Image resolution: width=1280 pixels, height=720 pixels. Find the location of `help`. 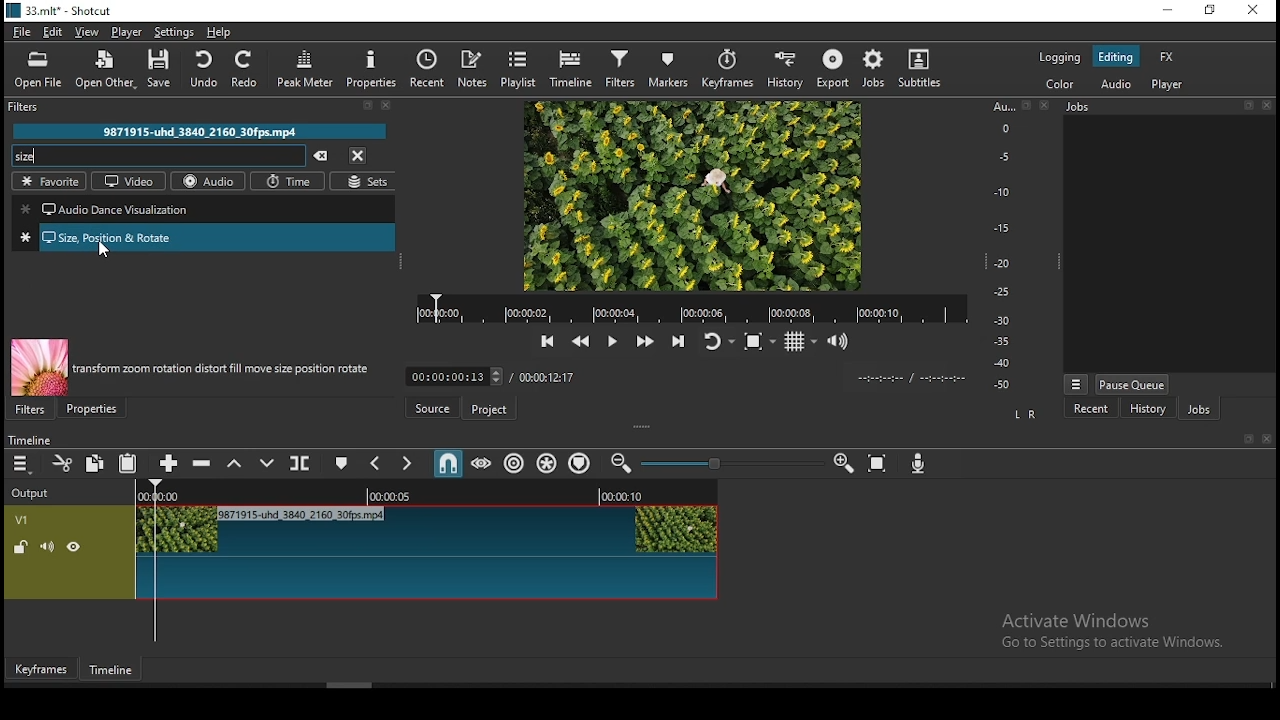

help is located at coordinates (220, 32).